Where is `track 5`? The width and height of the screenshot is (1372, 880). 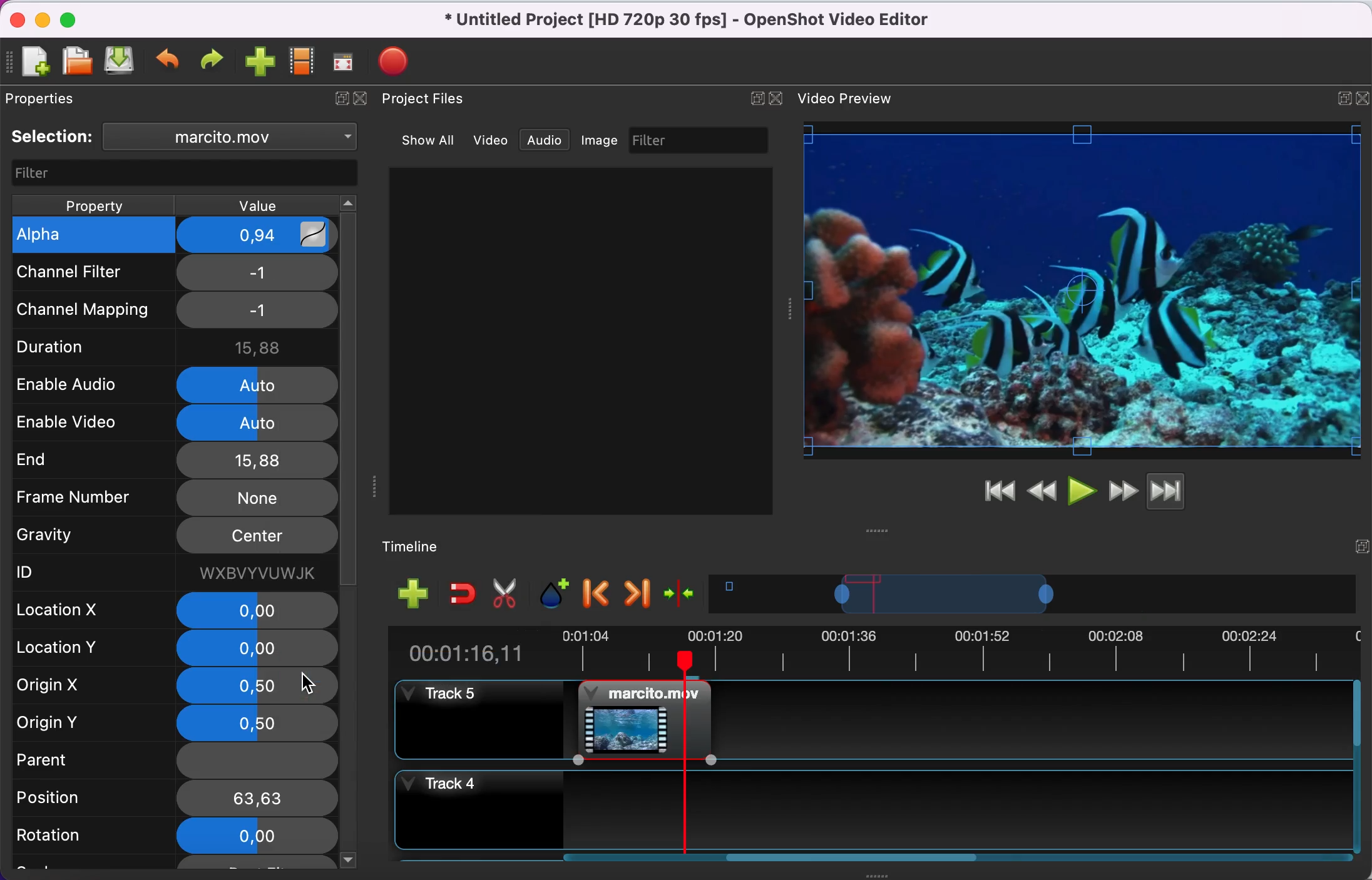 track 5 is located at coordinates (478, 717).